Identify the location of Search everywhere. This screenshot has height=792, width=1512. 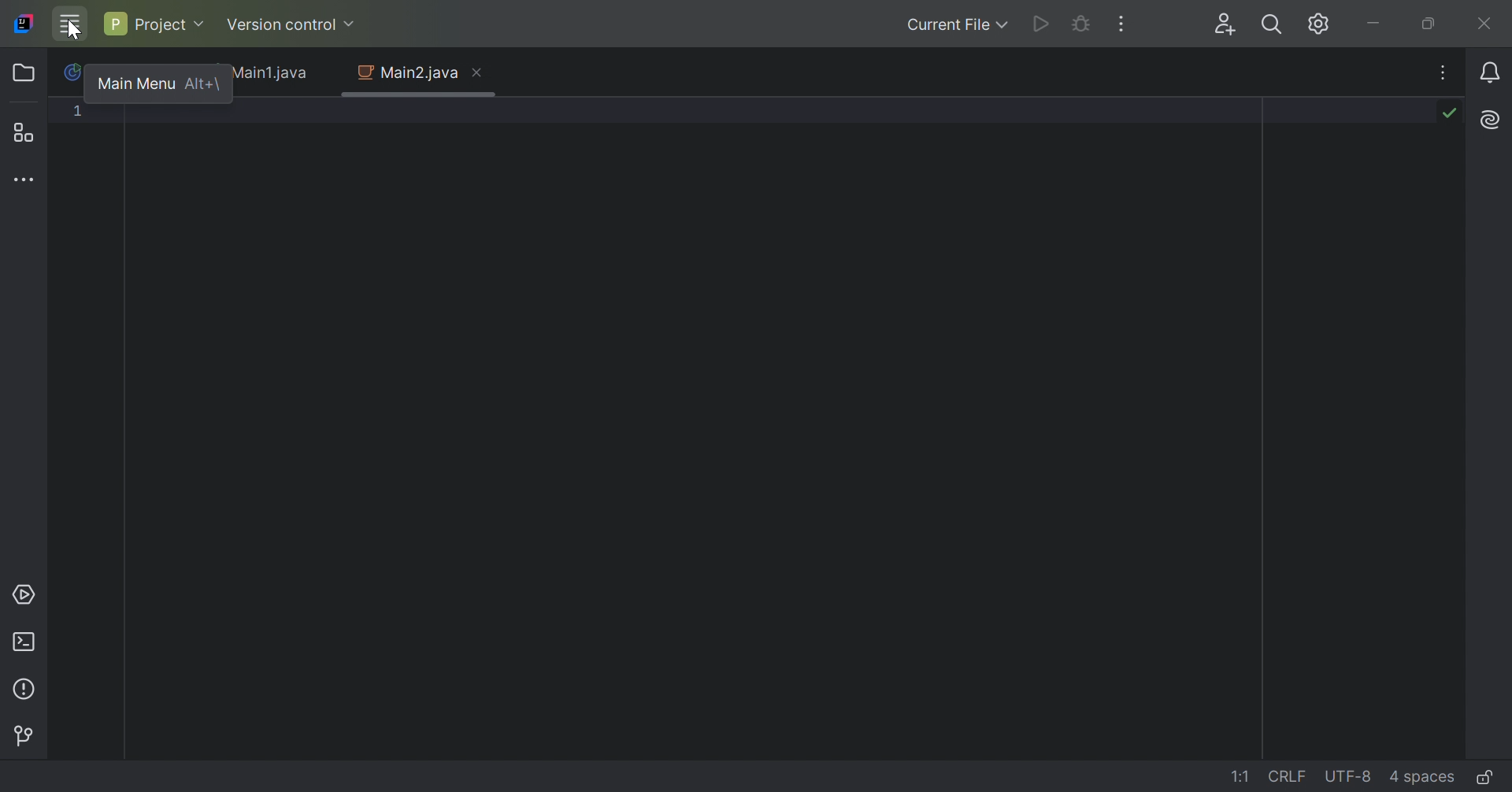
(1270, 27).